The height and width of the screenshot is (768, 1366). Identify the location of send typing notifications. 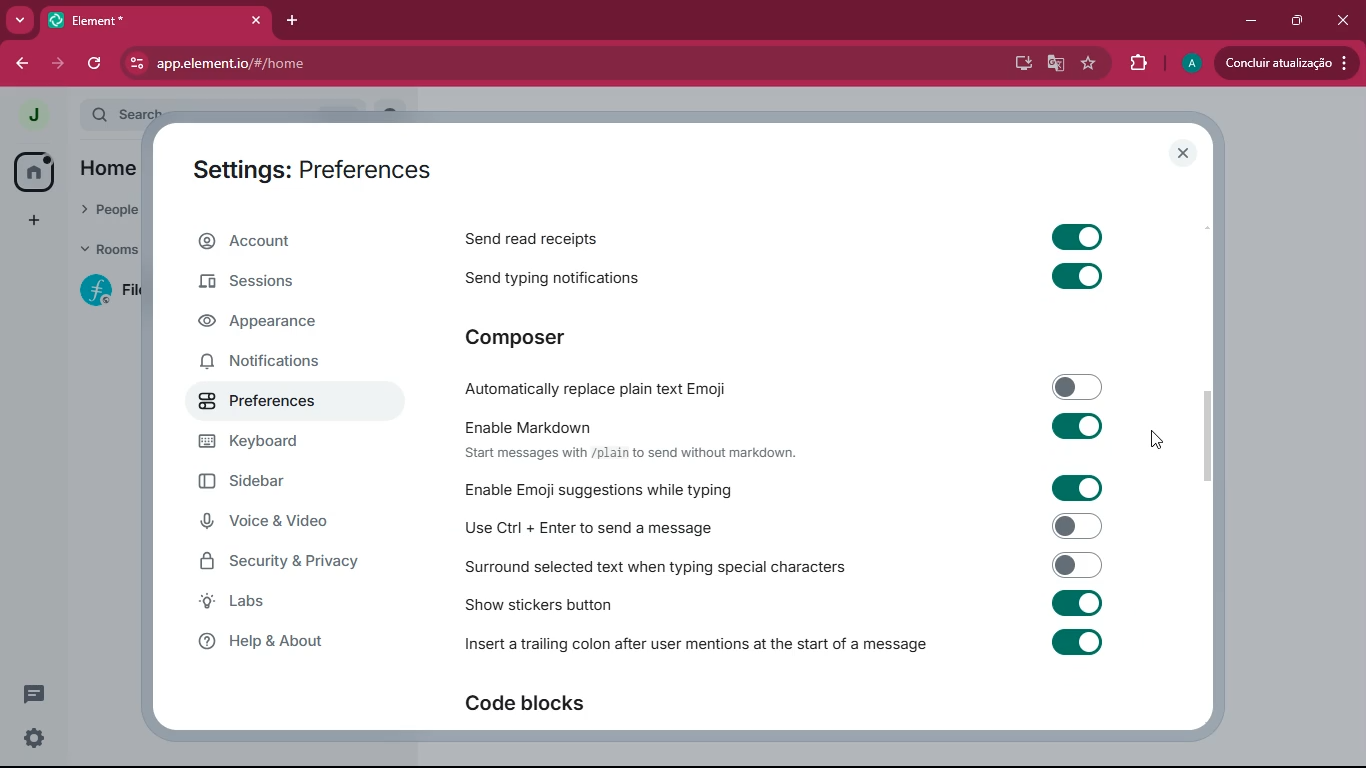
(556, 280).